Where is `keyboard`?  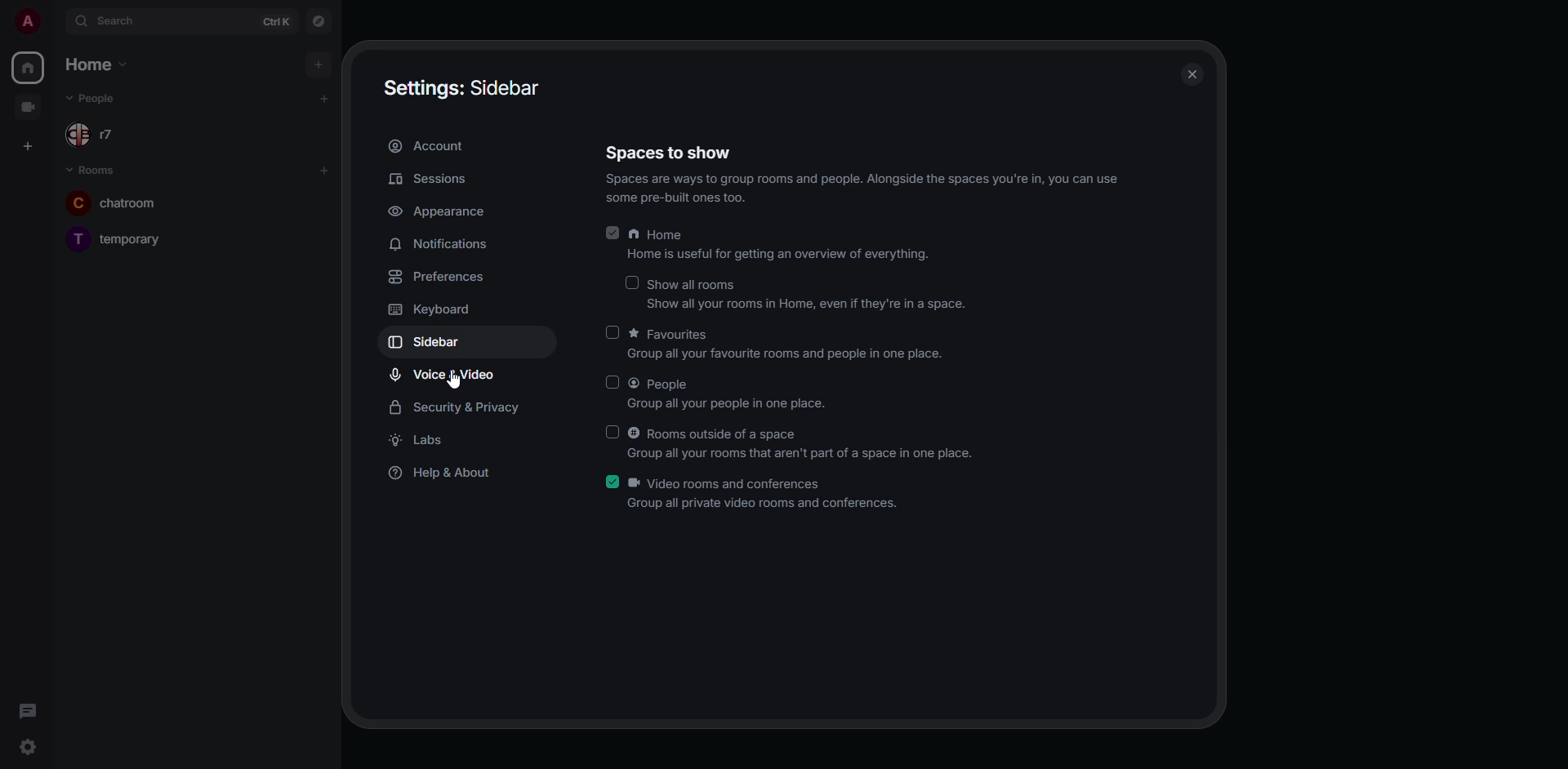
keyboard is located at coordinates (431, 309).